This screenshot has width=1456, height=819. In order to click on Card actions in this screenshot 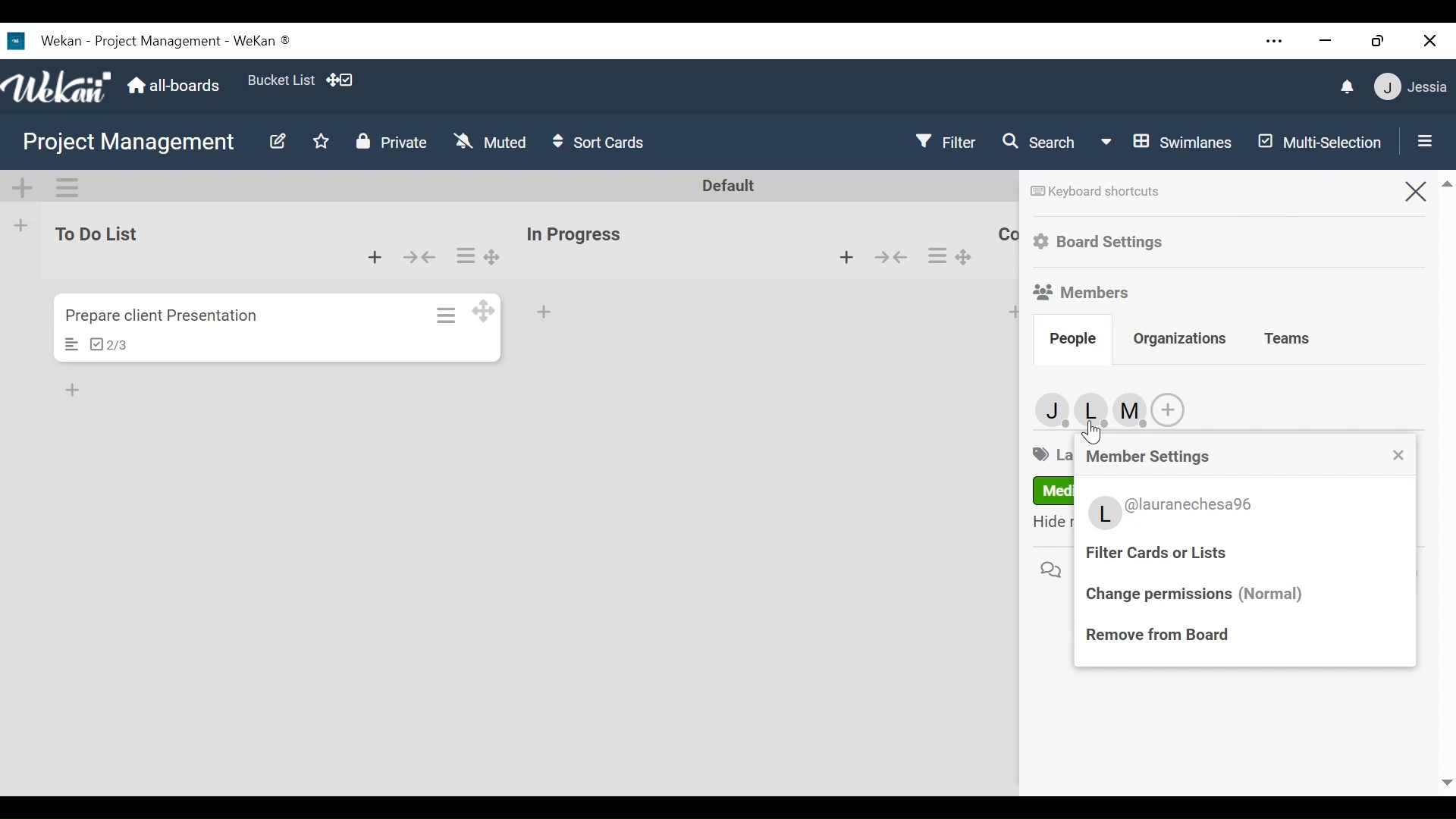, I will do `click(936, 256)`.